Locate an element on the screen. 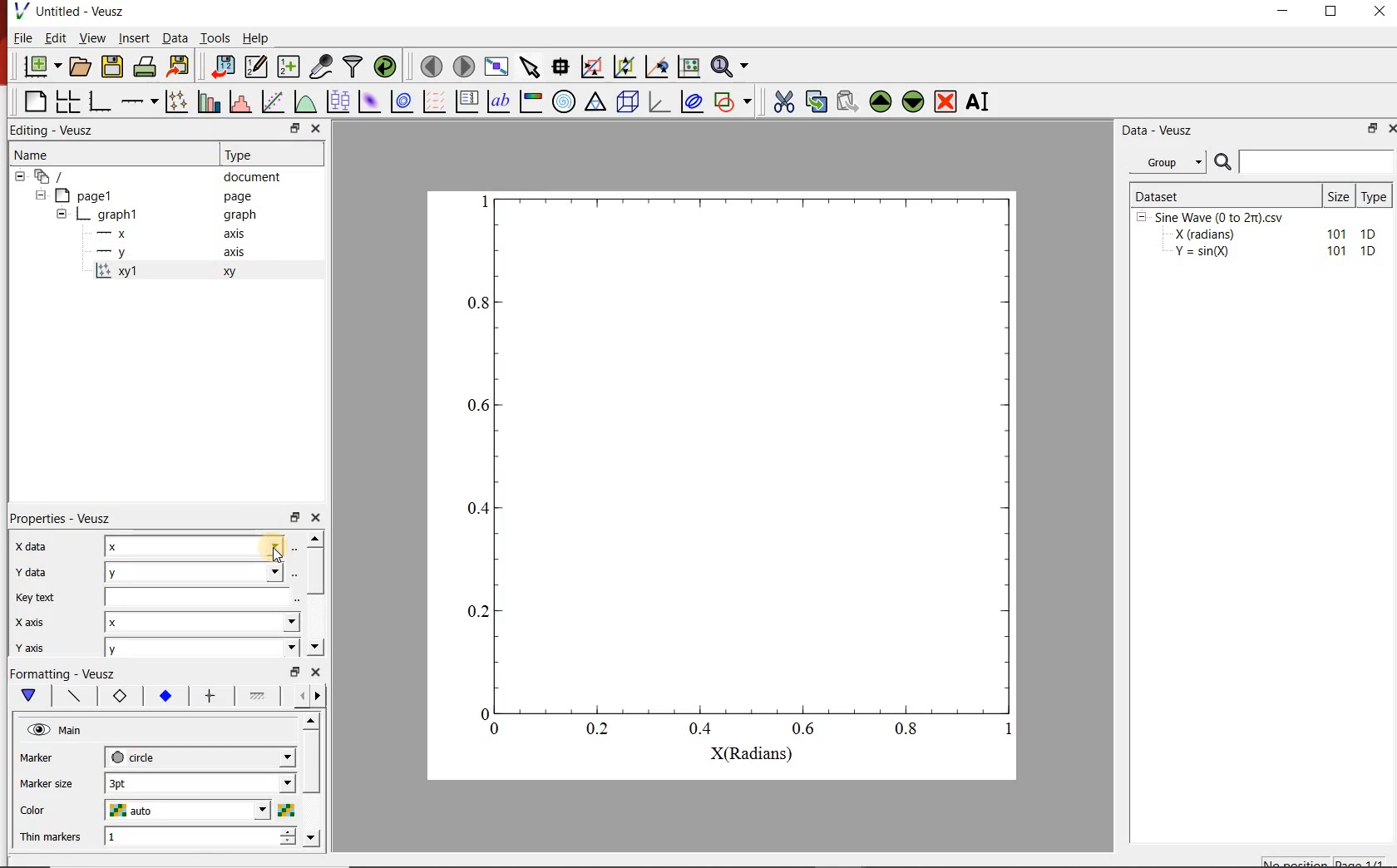 The height and width of the screenshot is (868, 1397). Close is located at coordinates (317, 515).